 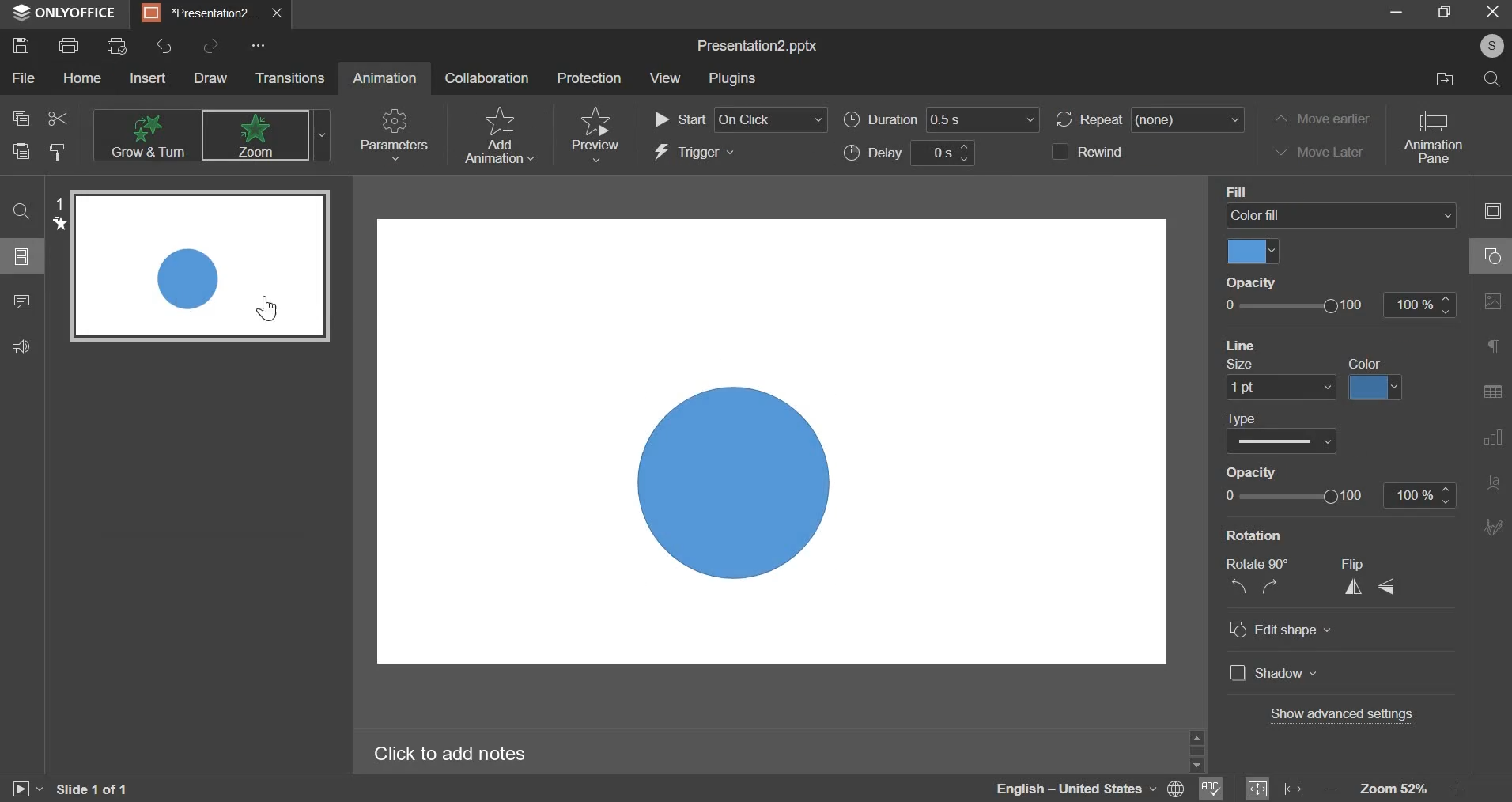 I want to click on advanced settings, so click(x=1342, y=714).